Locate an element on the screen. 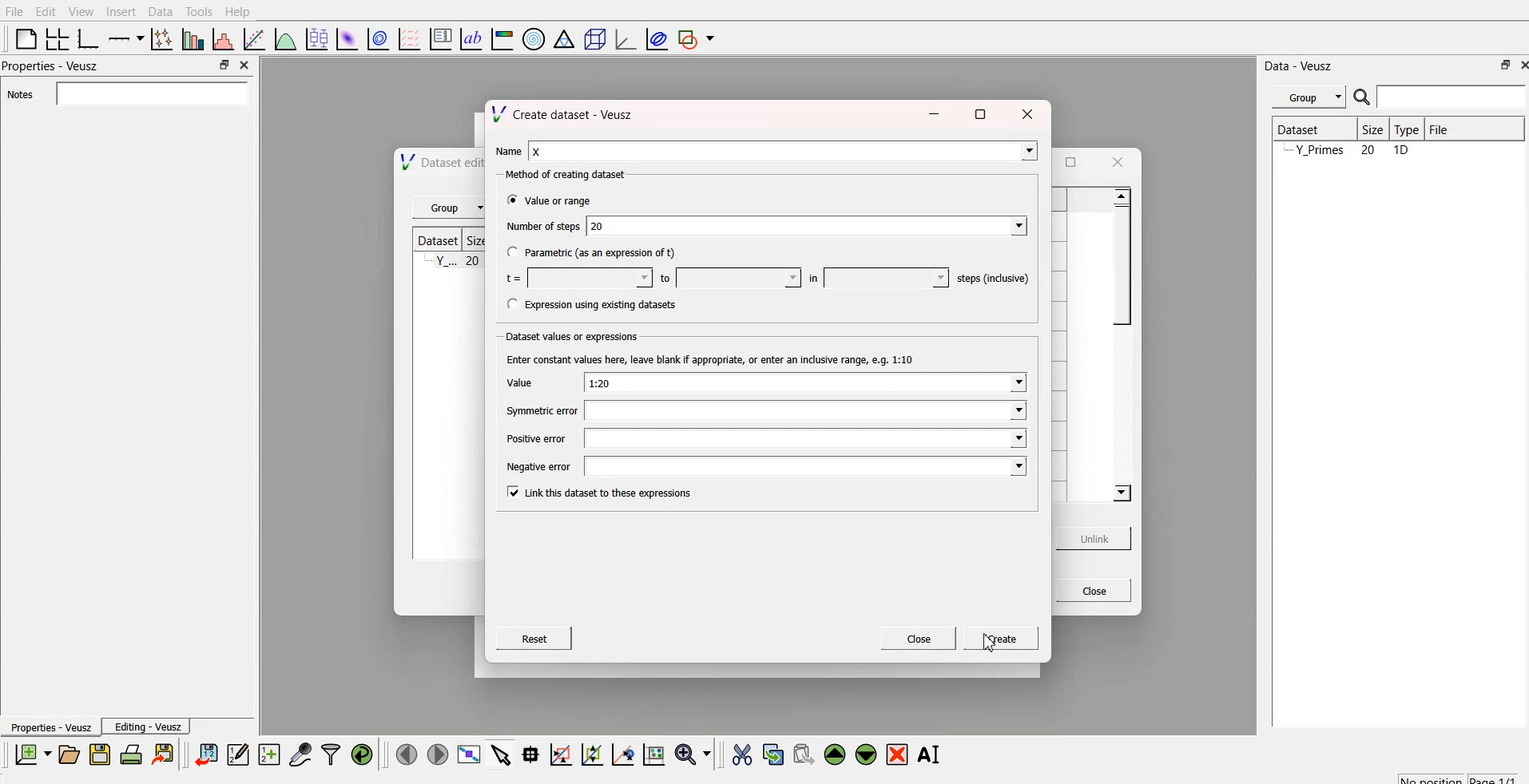 This screenshot has width=1529, height=784. zoom out graph axes is located at coordinates (621, 754).